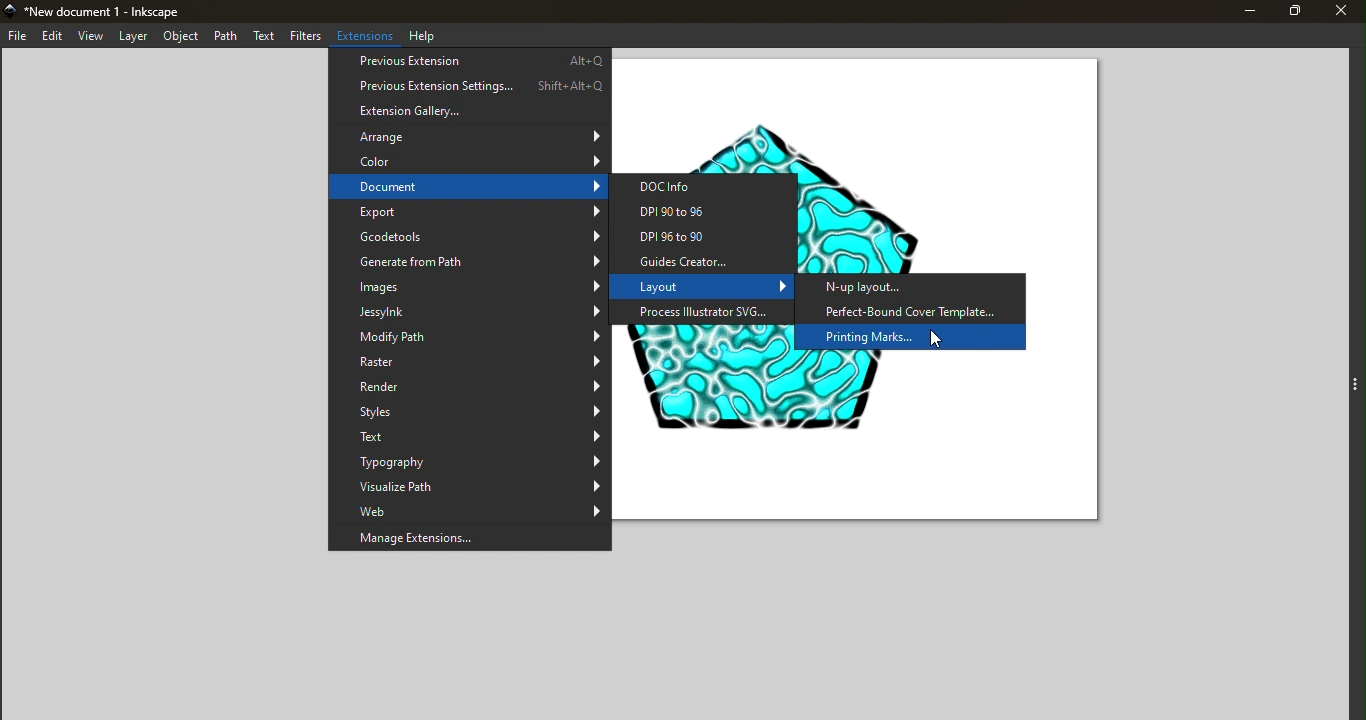 The image size is (1366, 720). What do you see at coordinates (707, 261) in the screenshot?
I see `Guides Creator` at bounding box center [707, 261].